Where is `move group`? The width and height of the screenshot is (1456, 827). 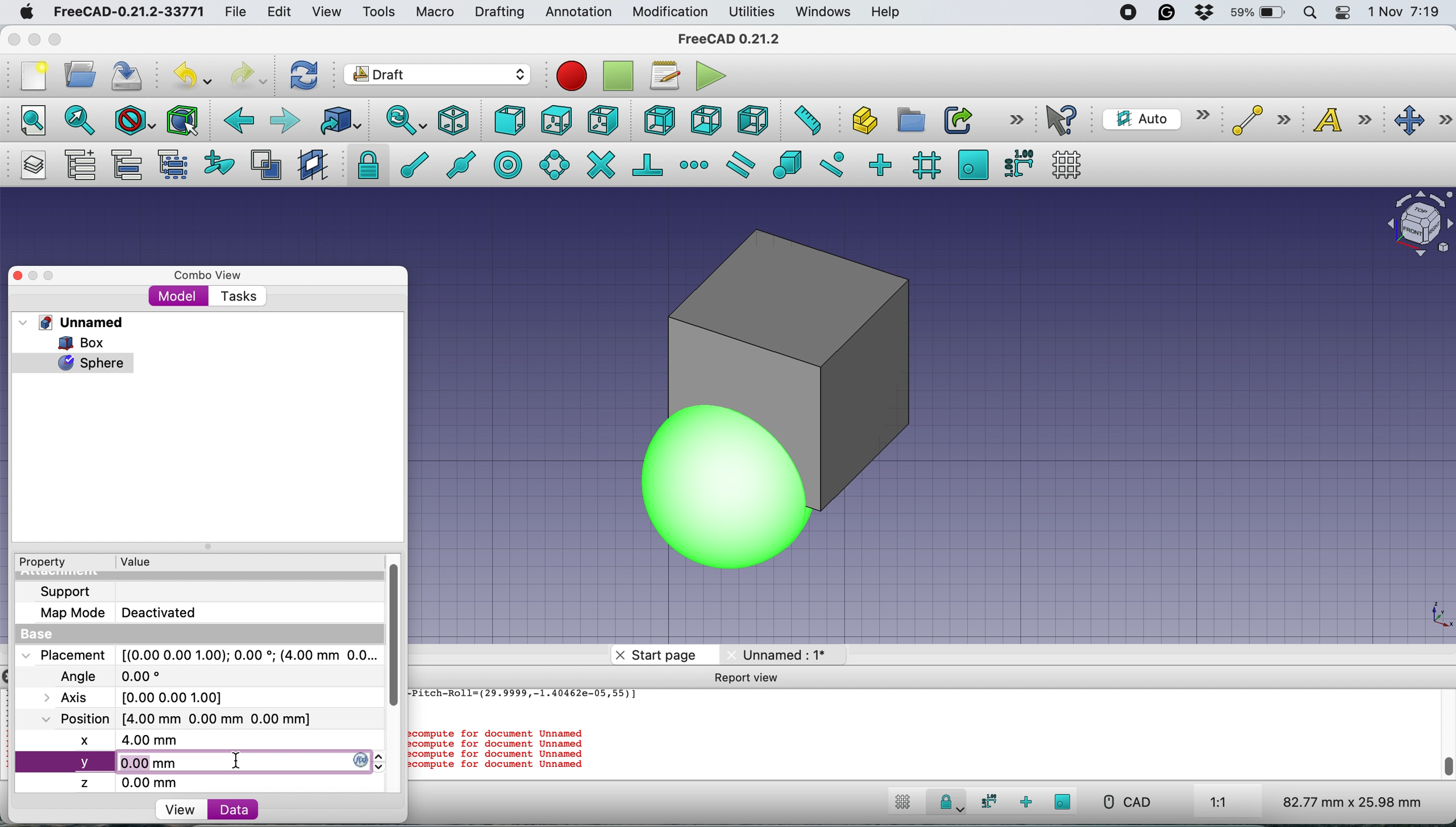
move group is located at coordinates (130, 165).